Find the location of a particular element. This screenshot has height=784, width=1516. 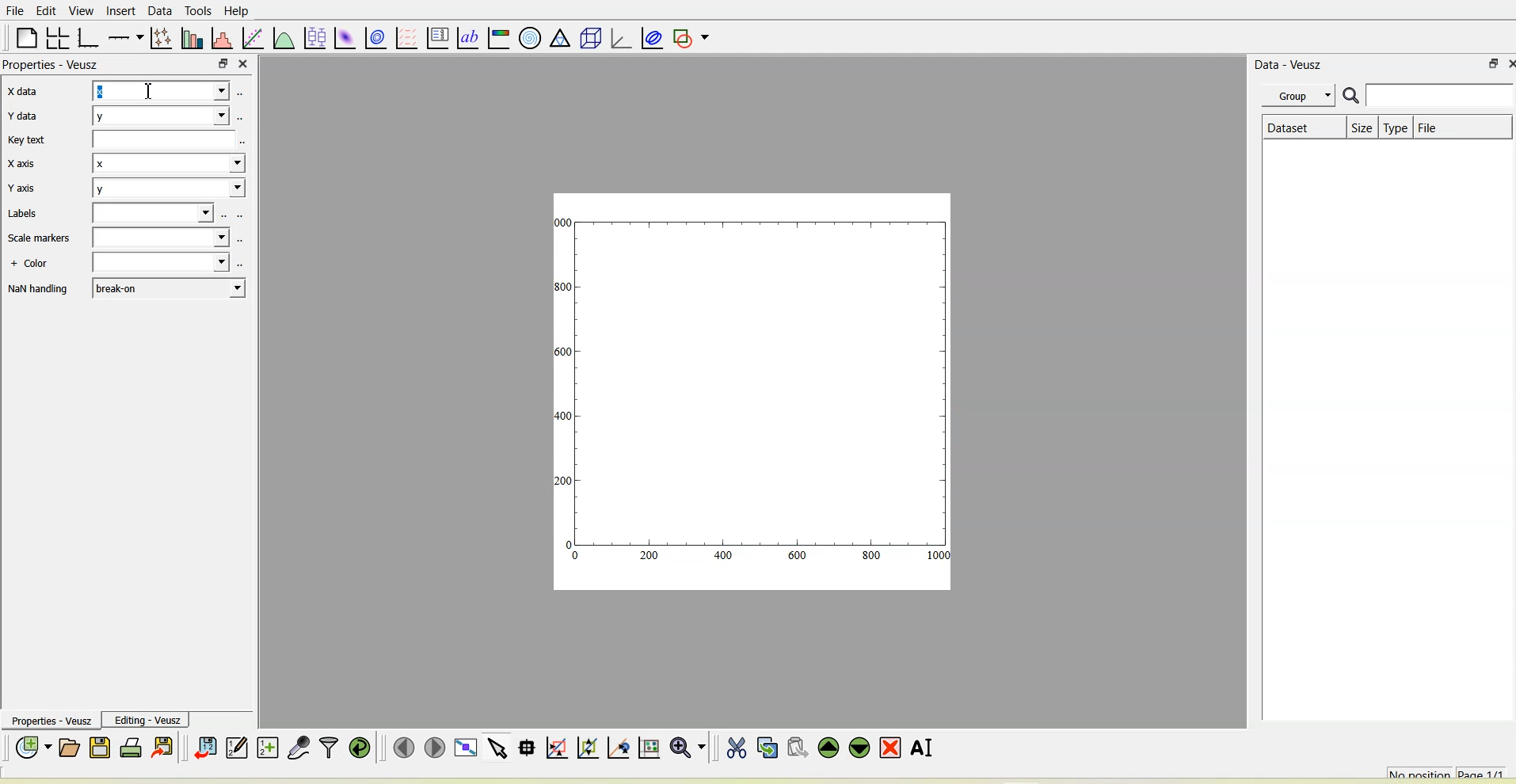

Import data into Veusz is located at coordinates (205, 748).